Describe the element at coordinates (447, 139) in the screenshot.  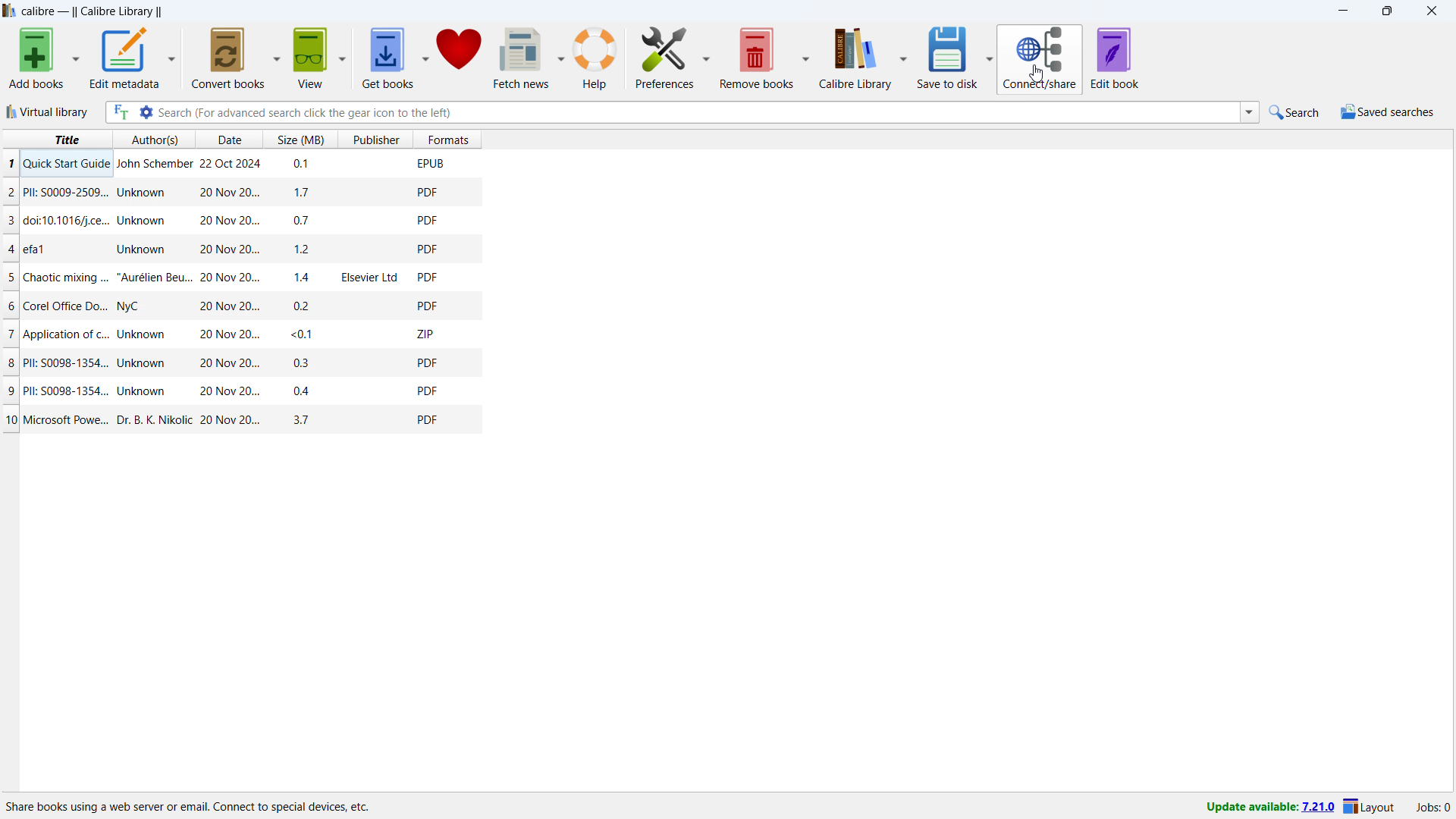
I see `sort by formats` at that location.